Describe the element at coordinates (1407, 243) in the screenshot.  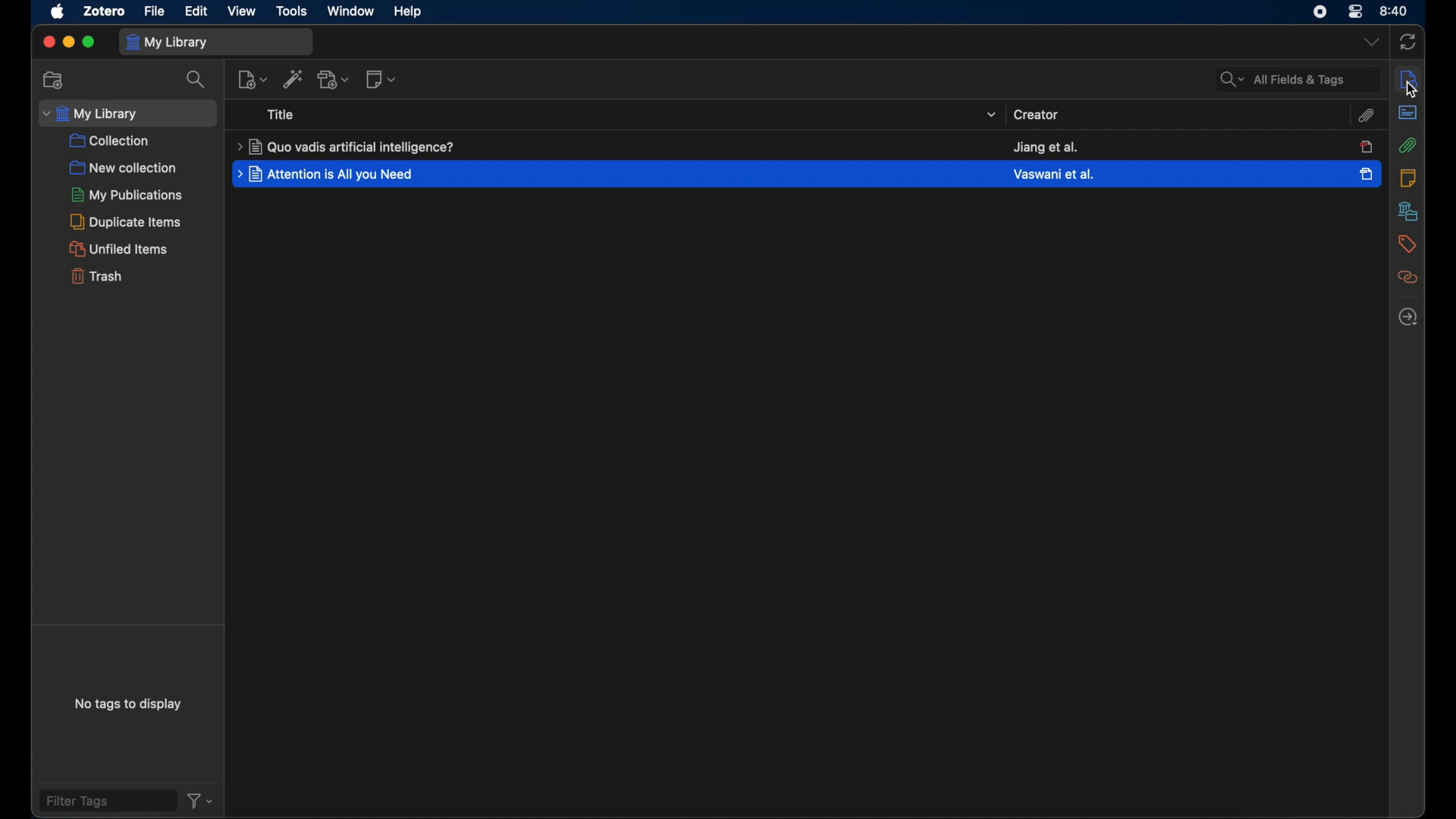
I see `tags` at that location.